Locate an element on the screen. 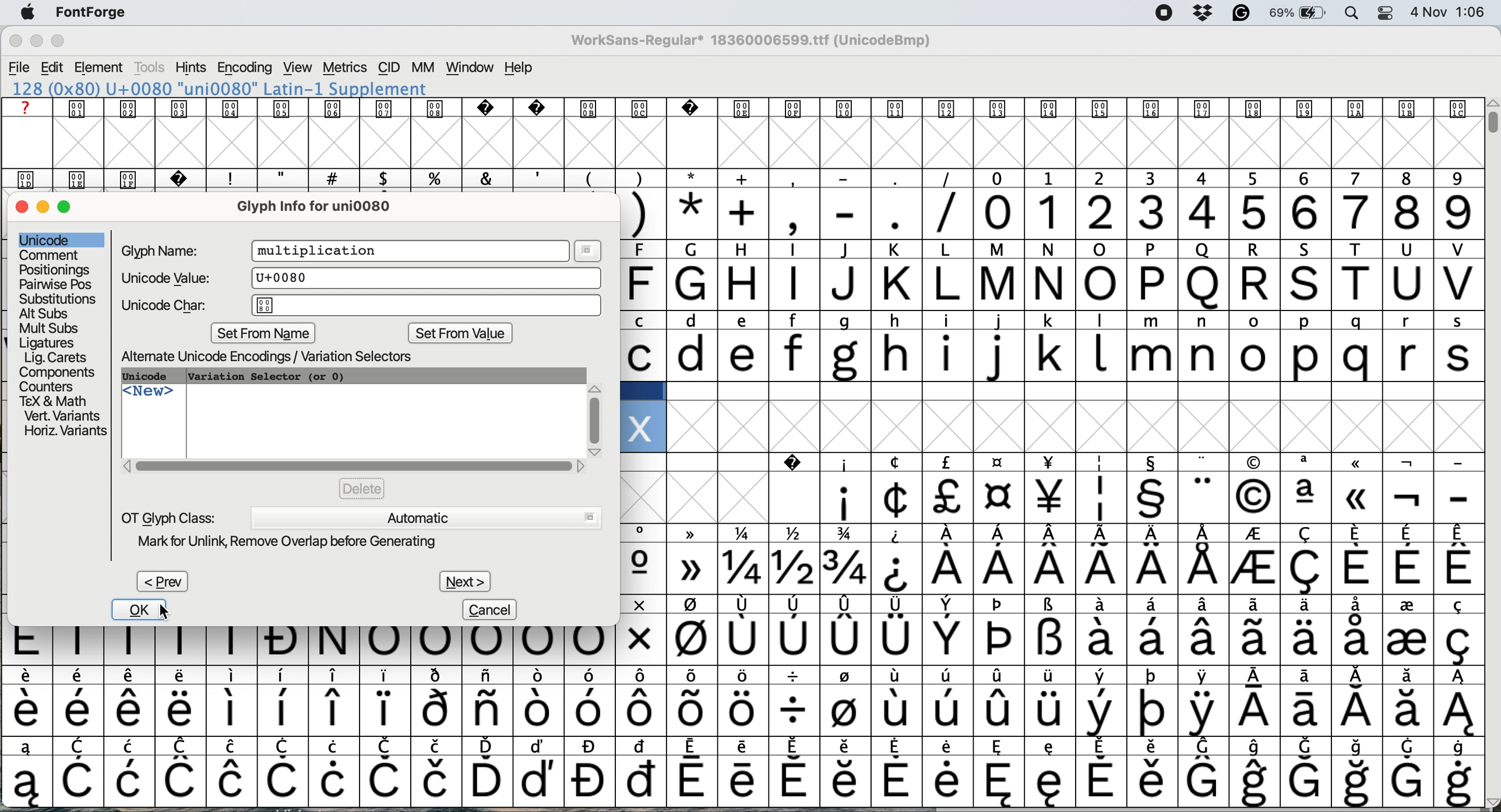 This screenshot has width=1501, height=812. alternate unicode encodings variation selectors is located at coordinates (280, 357).